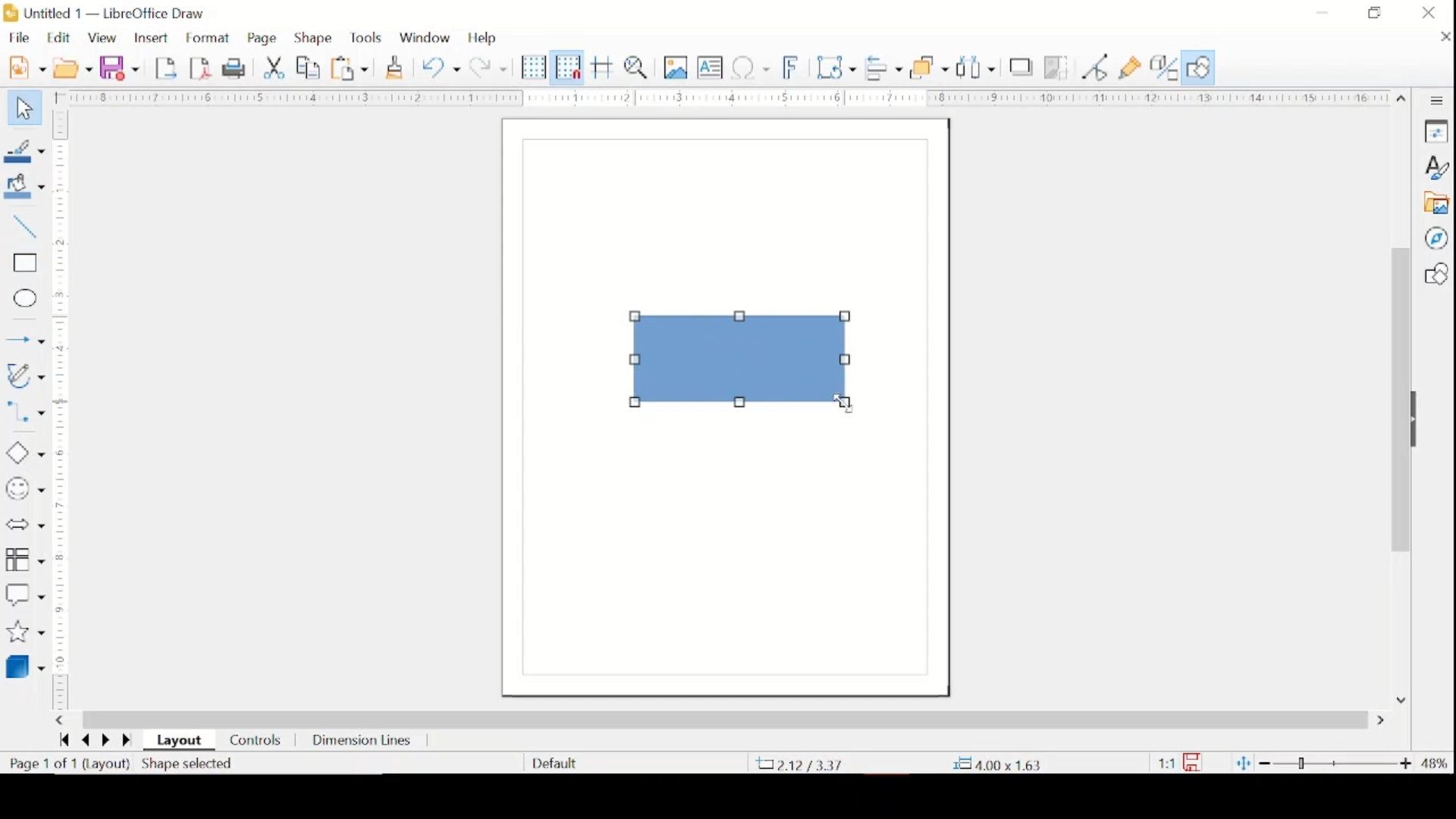 This screenshot has height=819, width=1456. Describe the element at coordinates (1021, 67) in the screenshot. I see `shadow` at that location.